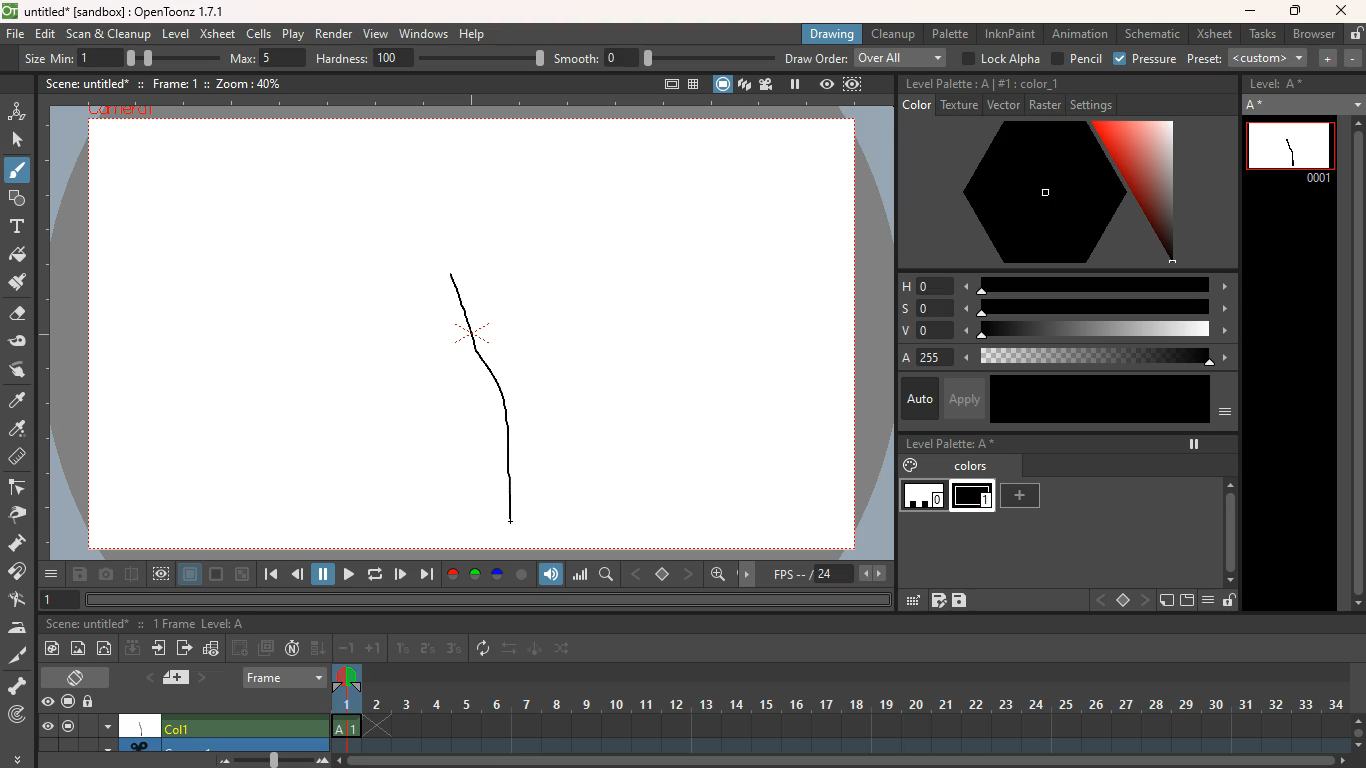  What do you see at coordinates (692, 83) in the screenshot?
I see `table` at bounding box center [692, 83].